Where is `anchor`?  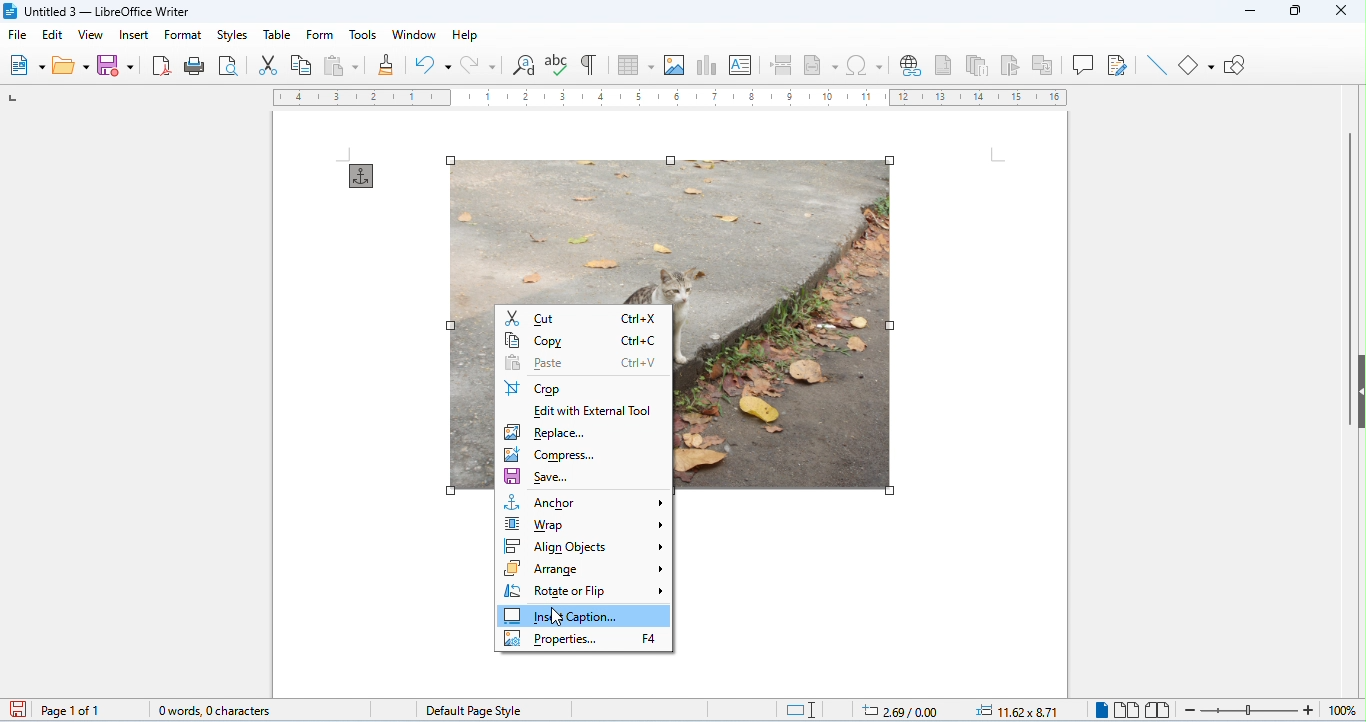
anchor is located at coordinates (362, 176).